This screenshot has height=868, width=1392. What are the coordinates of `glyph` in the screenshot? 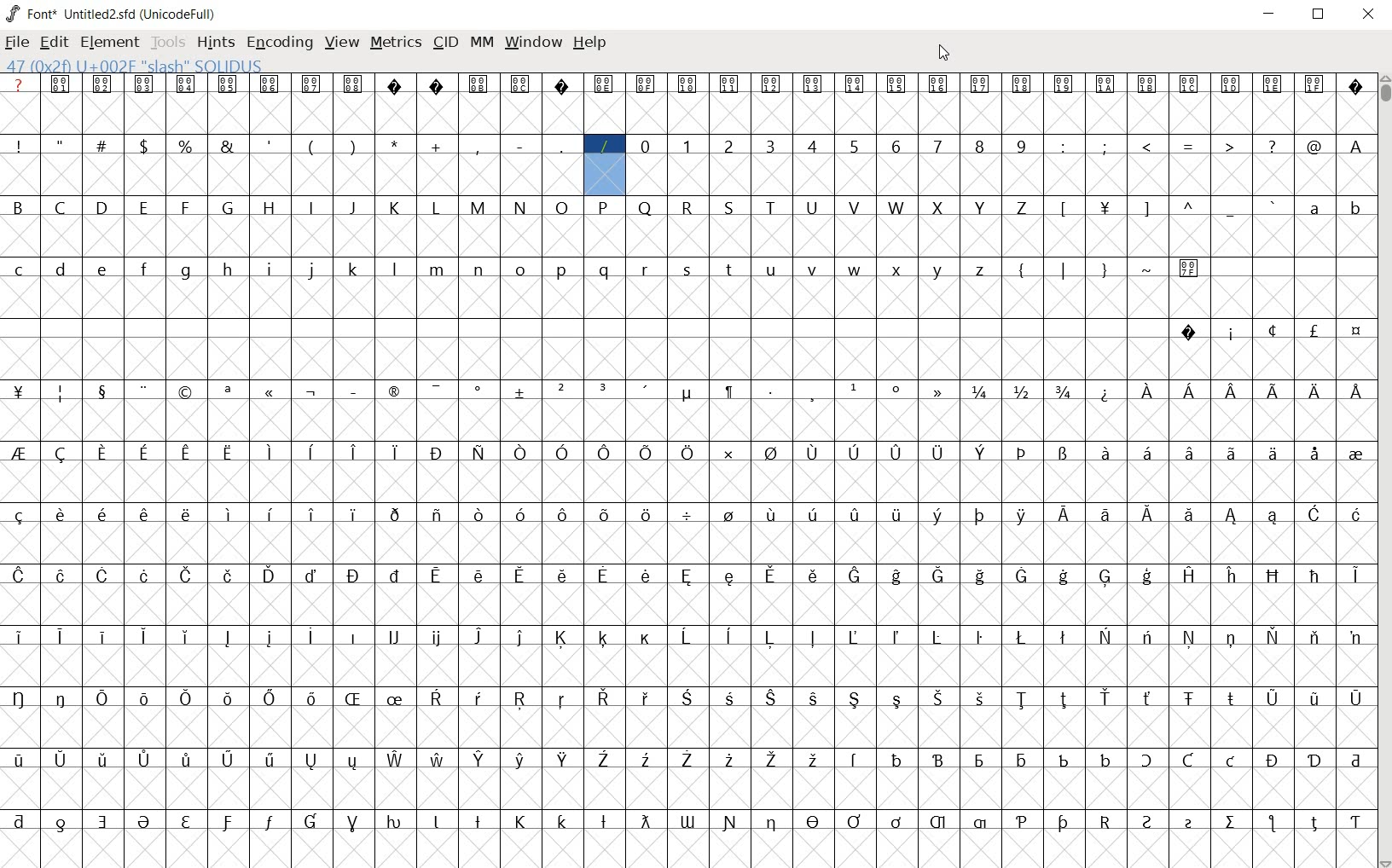 It's located at (1356, 147).